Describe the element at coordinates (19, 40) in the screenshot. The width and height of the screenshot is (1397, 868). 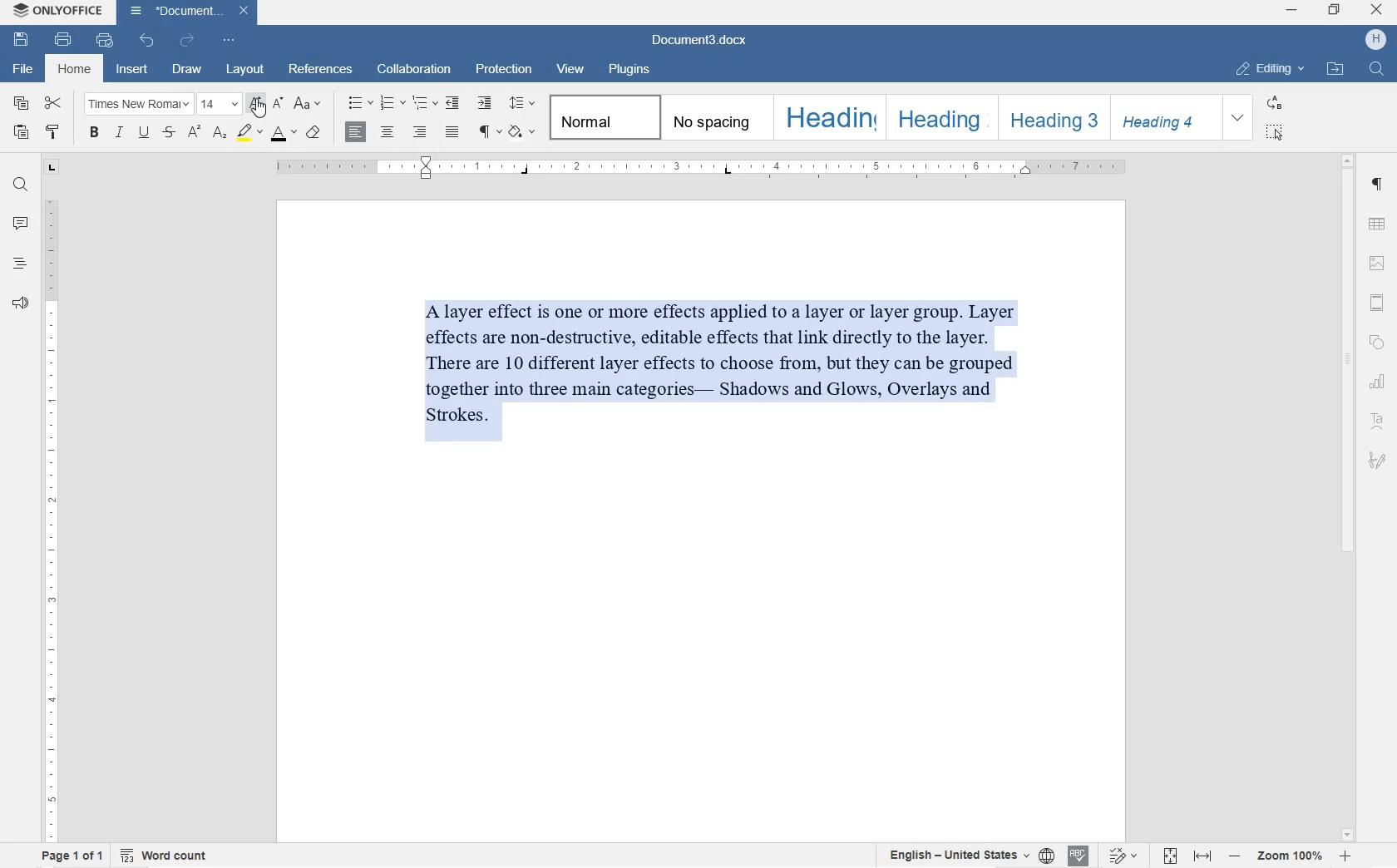
I see `save` at that location.